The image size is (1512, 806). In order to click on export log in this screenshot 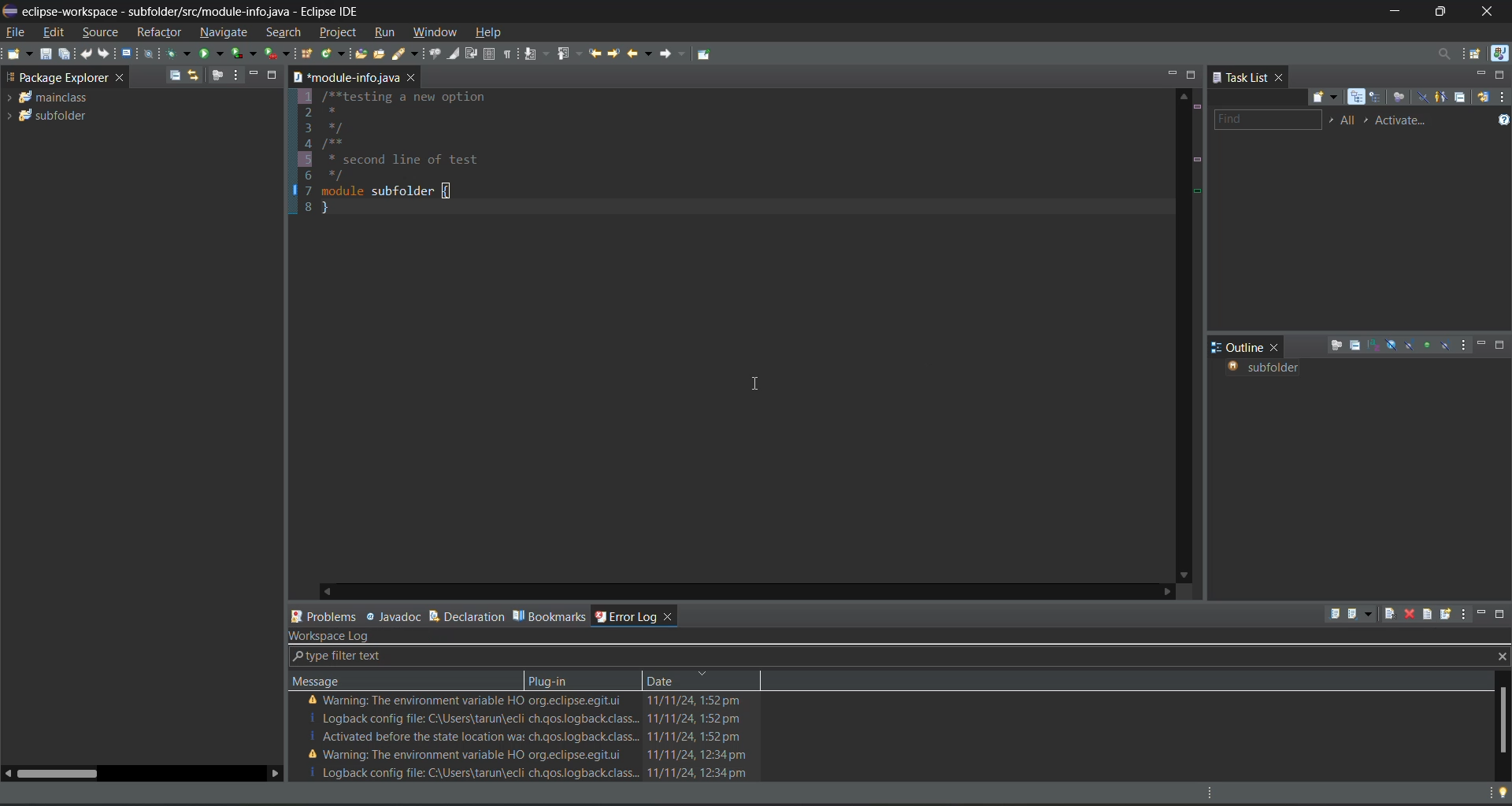, I will do `click(1333, 614)`.